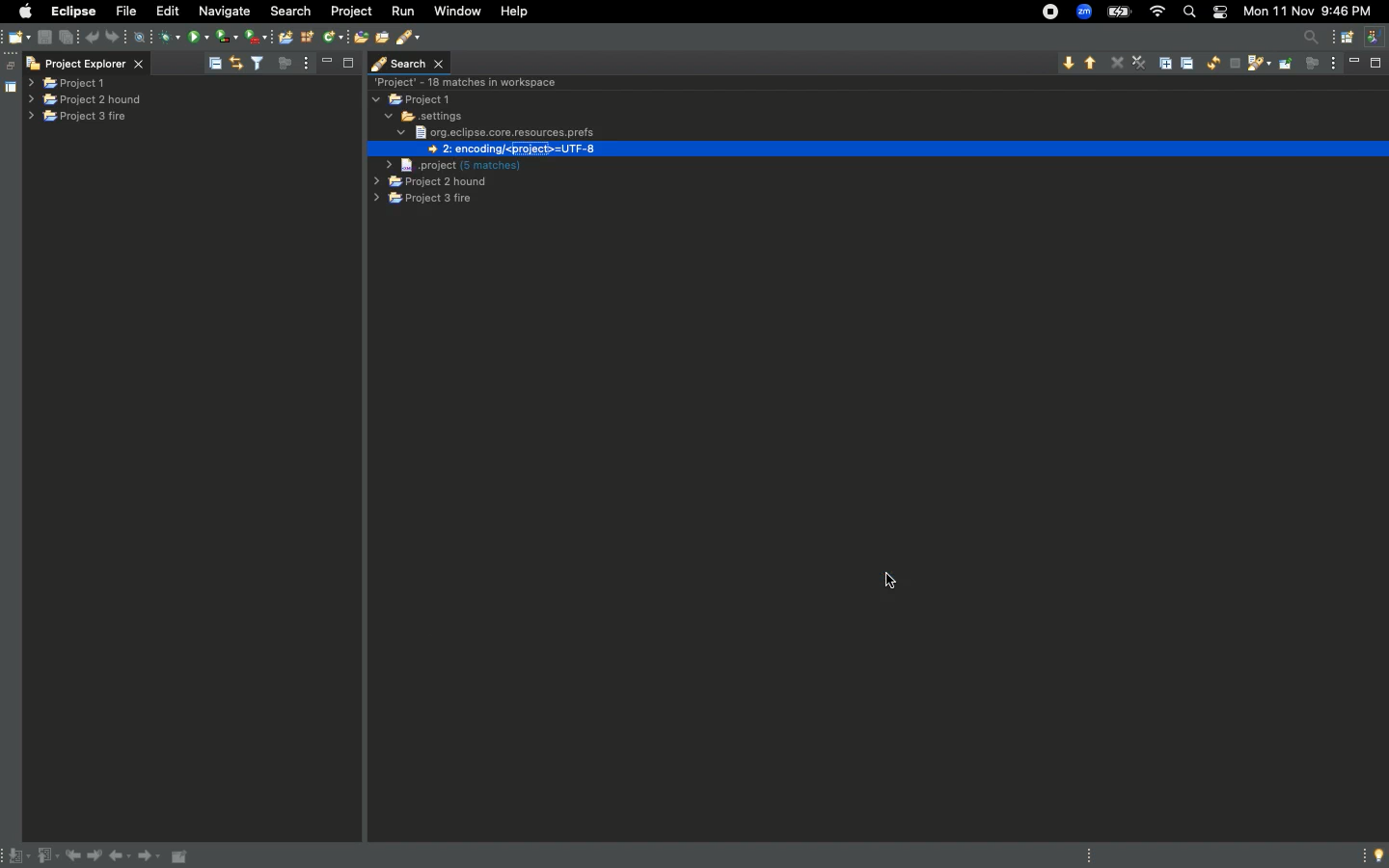 Image resolution: width=1389 pixels, height=868 pixels. I want to click on Eclipse, so click(72, 11).